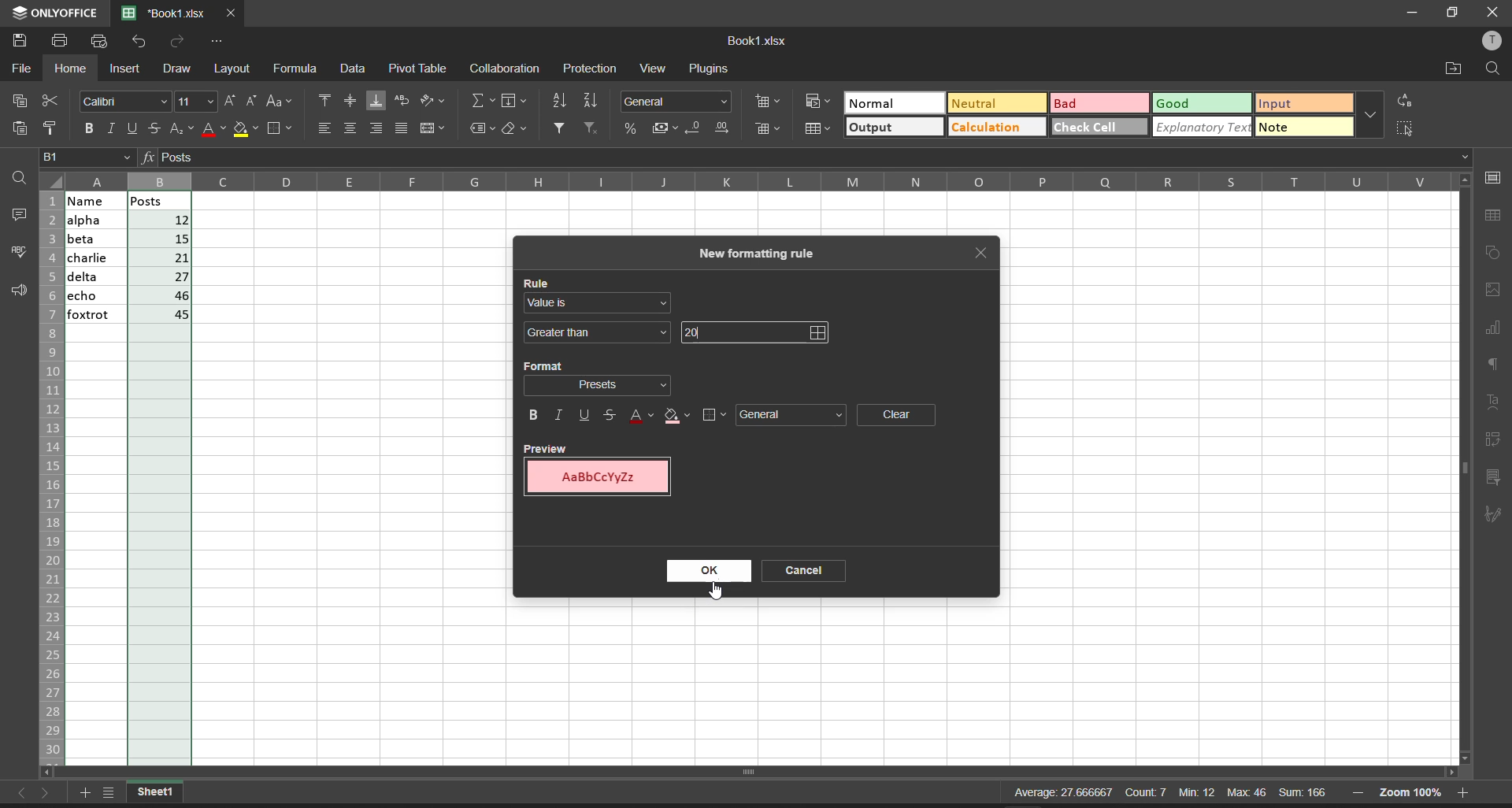 This screenshot has width=1512, height=808. I want to click on greater than, so click(596, 334).